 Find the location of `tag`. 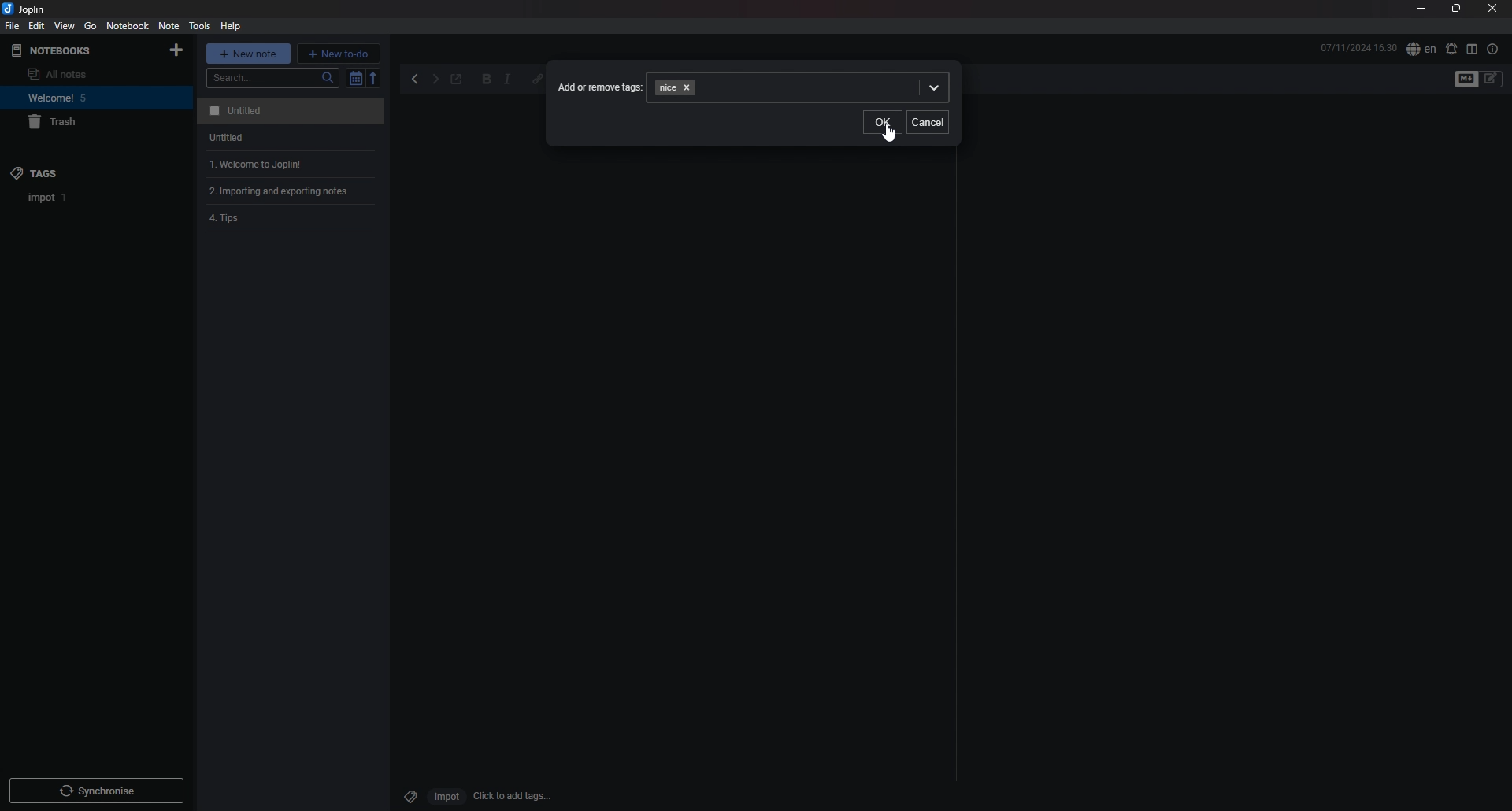

tag is located at coordinates (48, 198).